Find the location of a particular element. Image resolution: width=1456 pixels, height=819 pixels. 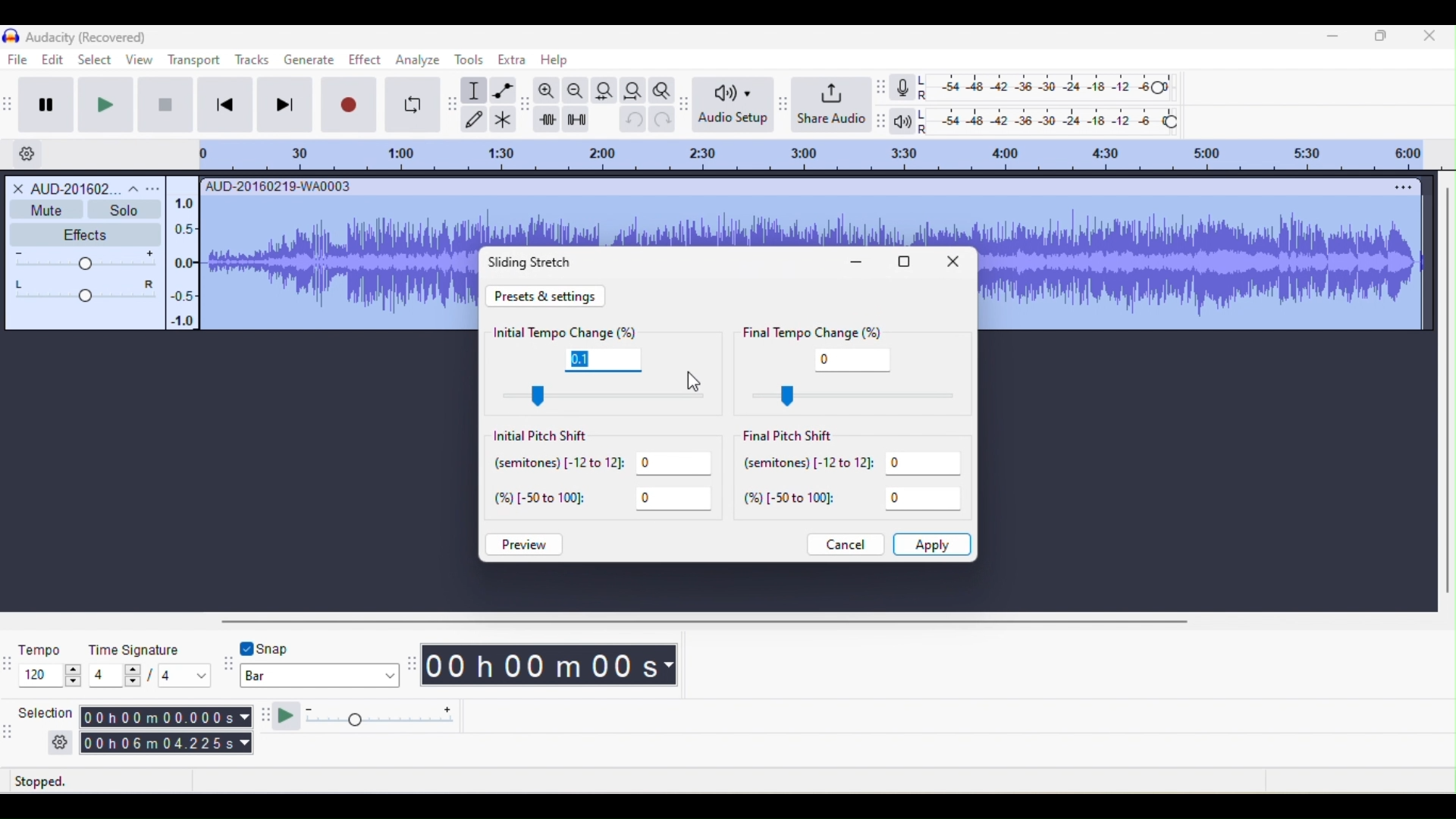

audacity transport toolbar is located at coordinates (9, 103).